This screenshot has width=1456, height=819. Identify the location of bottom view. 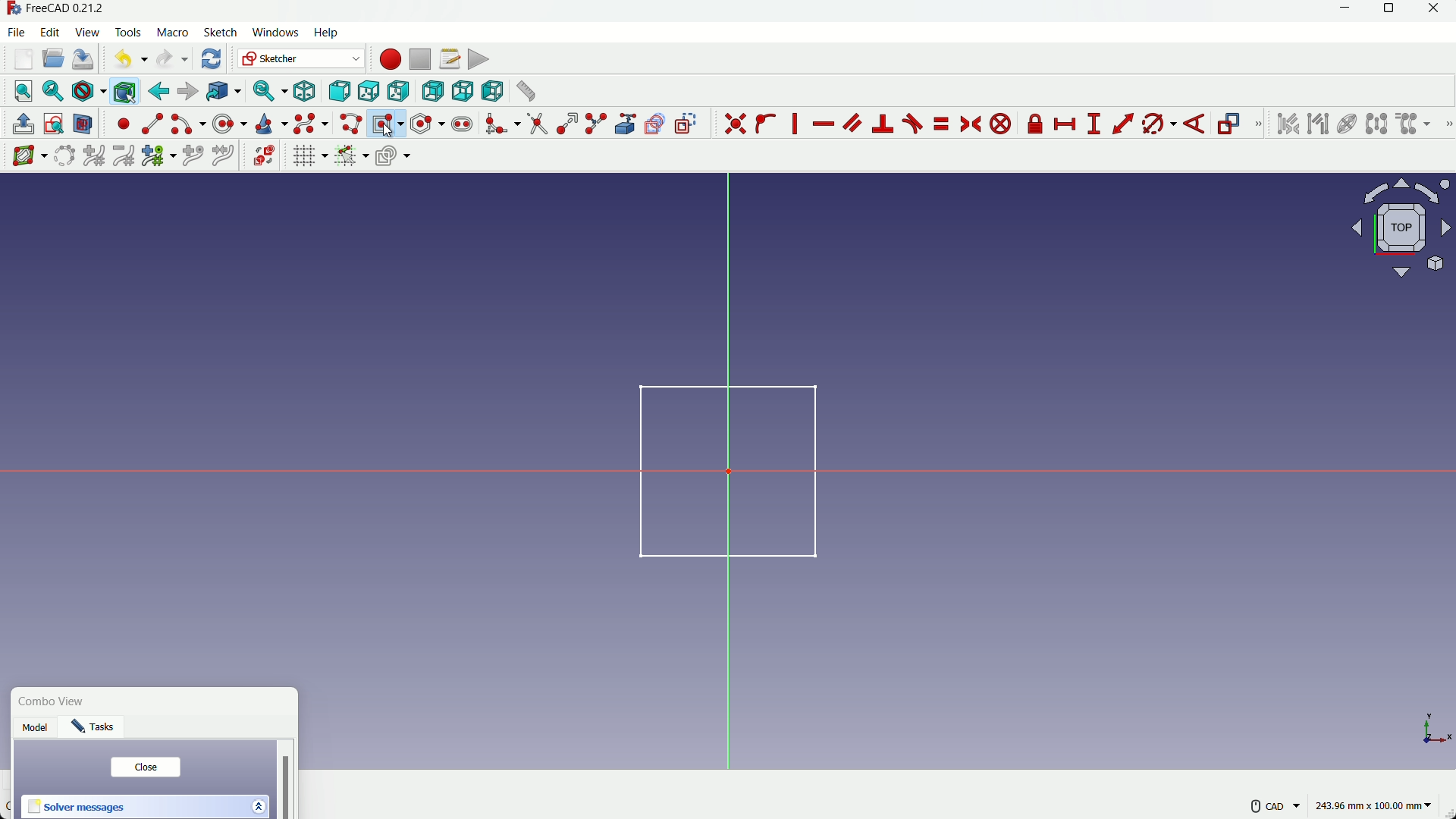
(462, 91).